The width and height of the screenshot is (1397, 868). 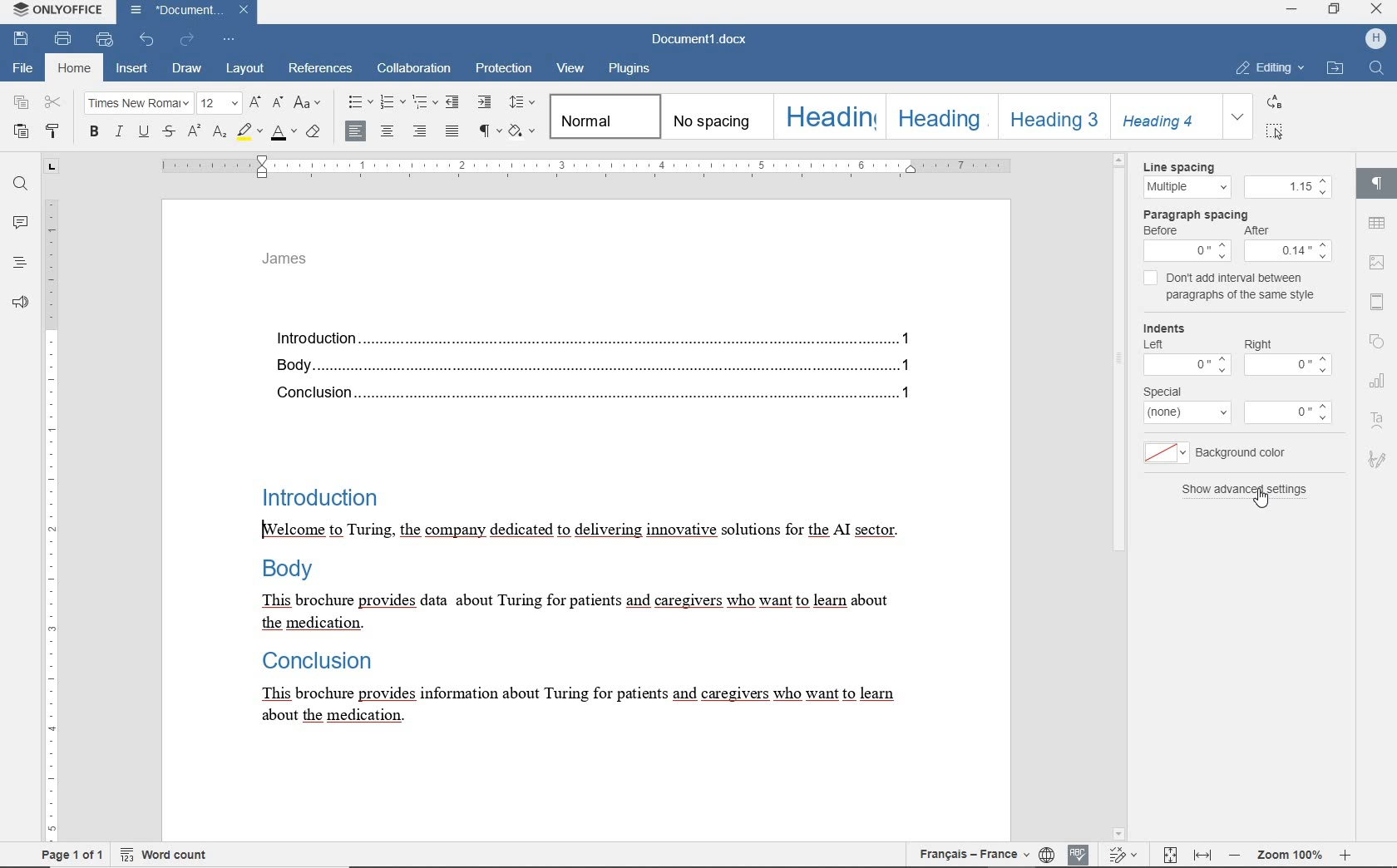 I want to click on strikethrough, so click(x=171, y=132).